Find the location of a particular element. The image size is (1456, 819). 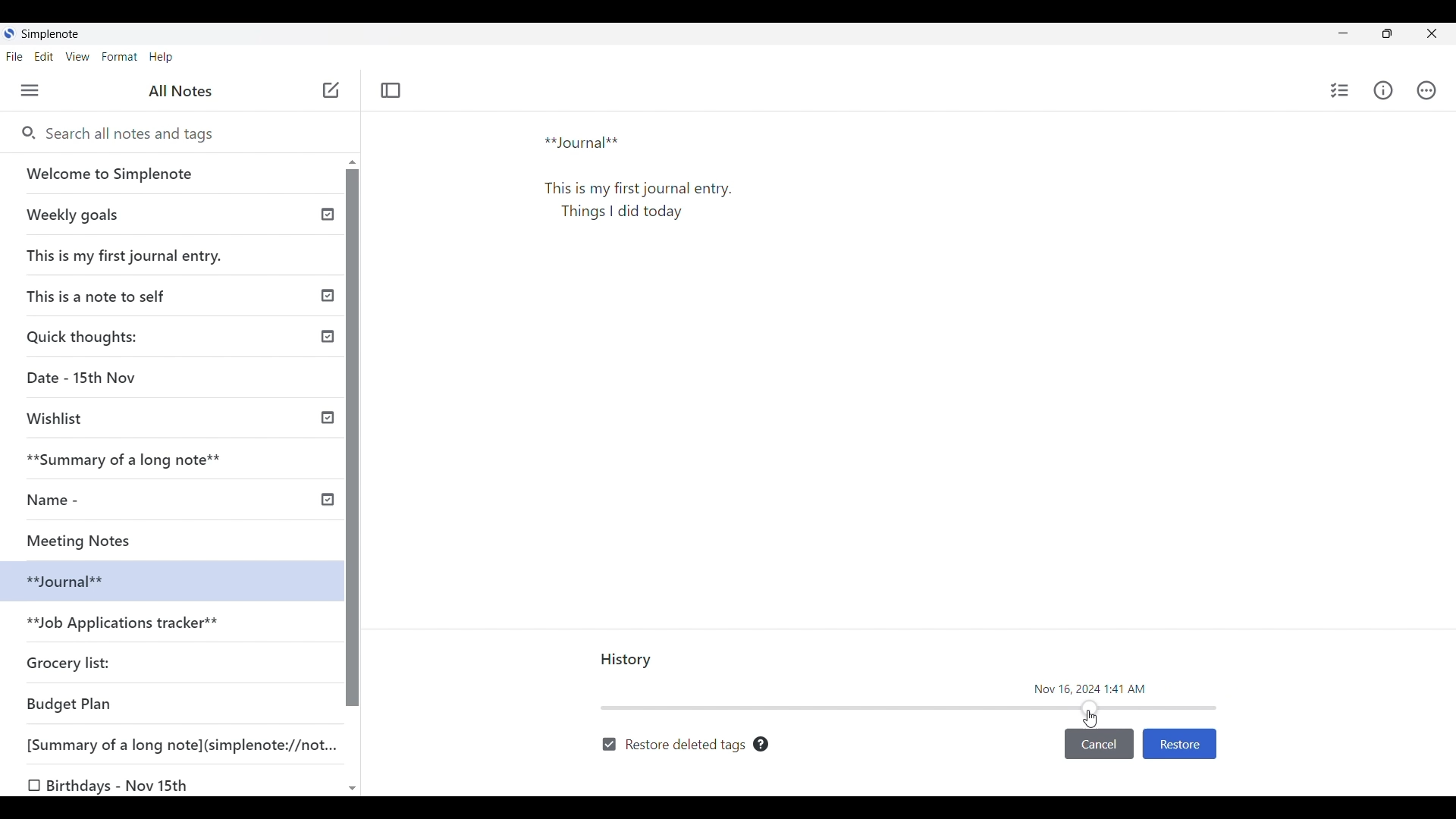

Name - is located at coordinates (58, 500).